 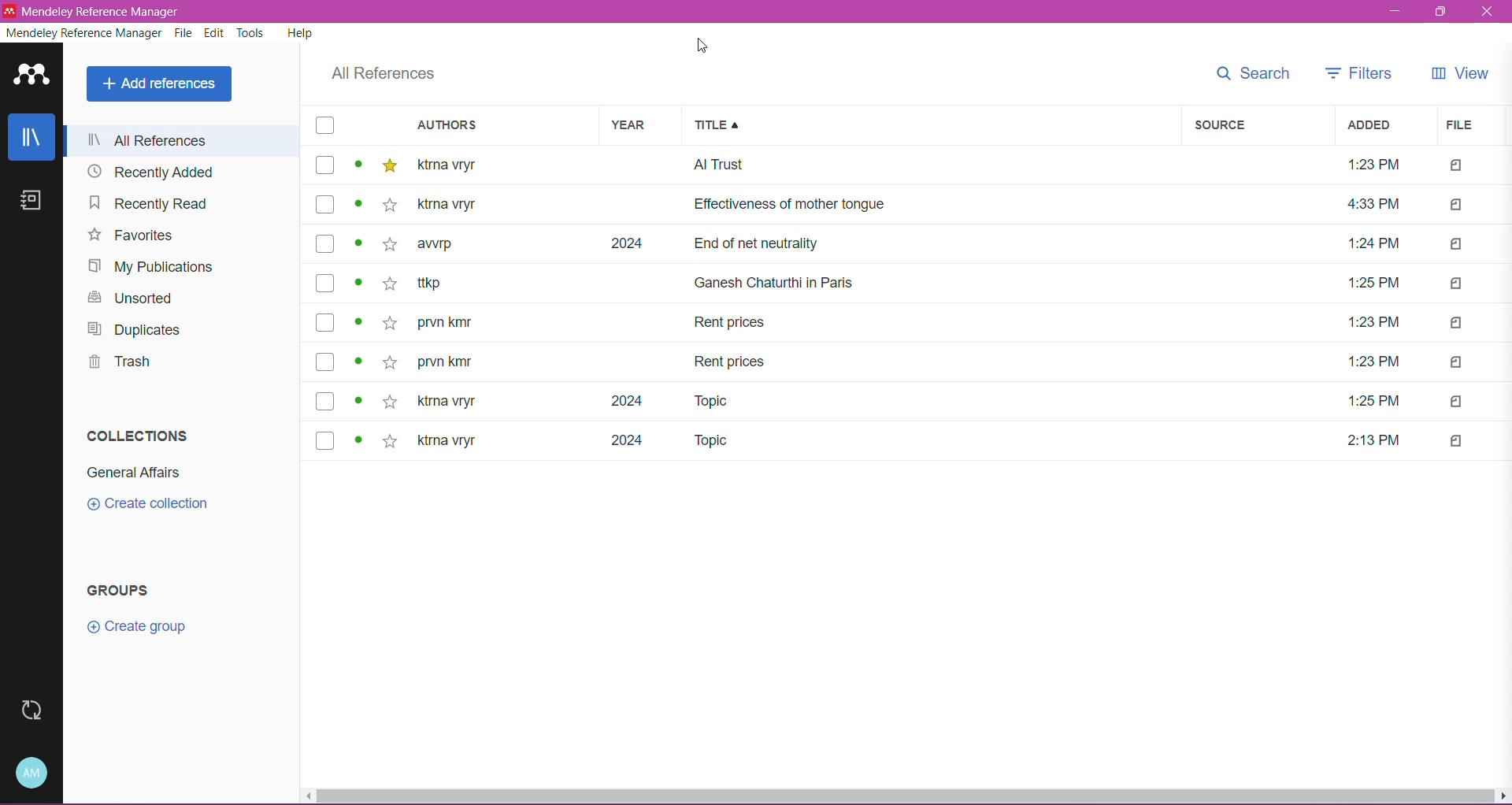 What do you see at coordinates (910, 401) in the screenshot?
I see `ktrna vryr 2024 Topic 1:25 PM` at bounding box center [910, 401].